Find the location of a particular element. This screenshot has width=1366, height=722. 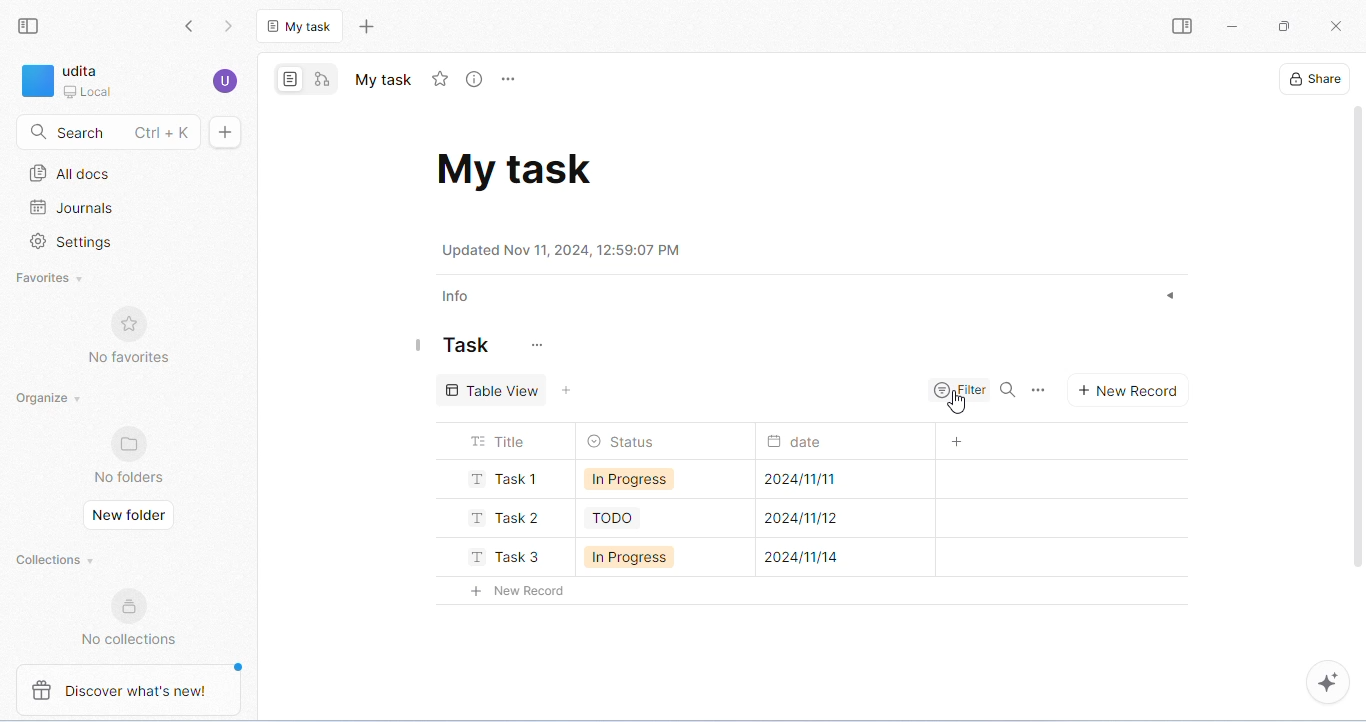

no collections is located at coordinates (129, 639).